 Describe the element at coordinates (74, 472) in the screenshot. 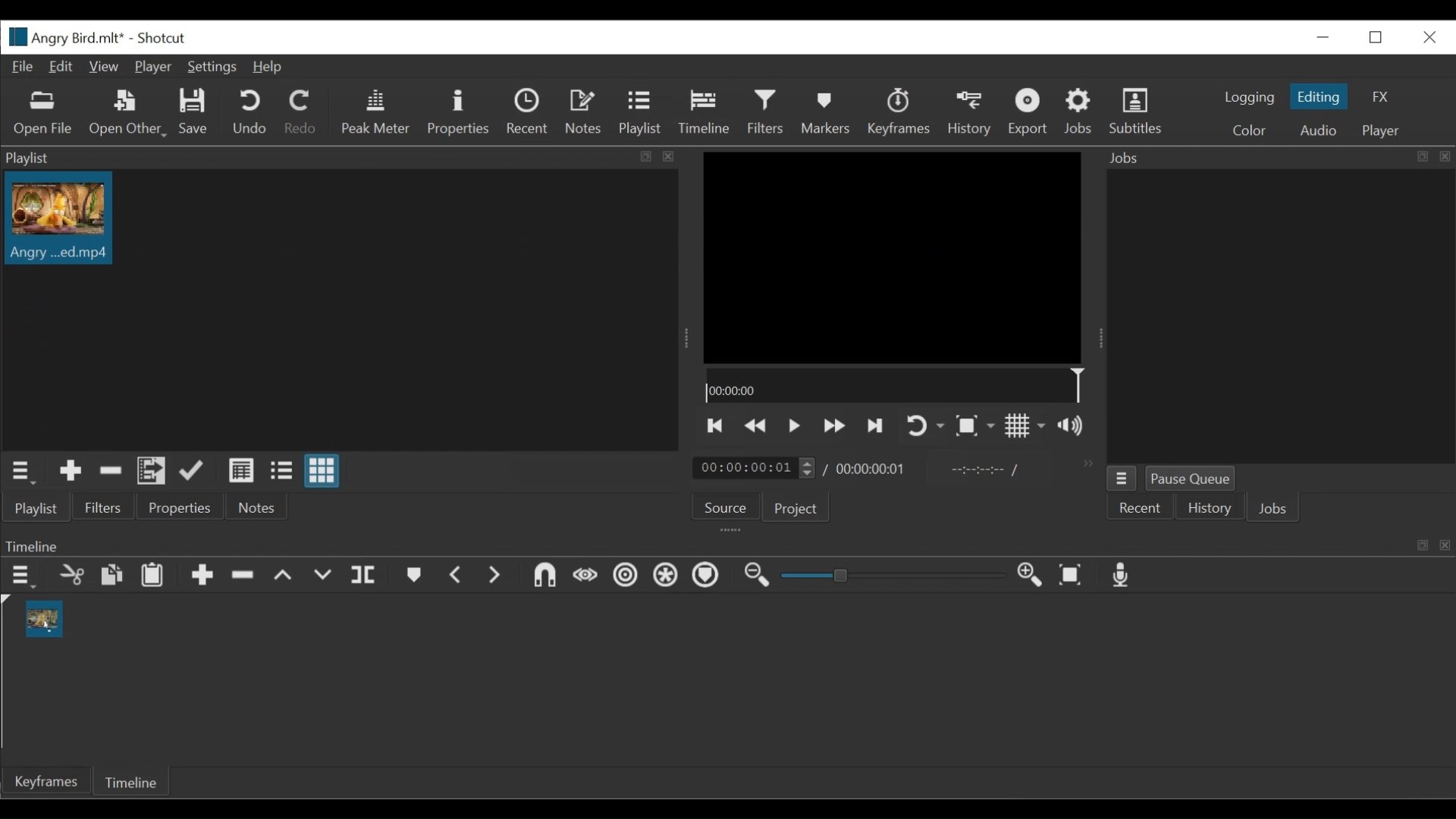

I see `Add Source to the playlist` at that location.